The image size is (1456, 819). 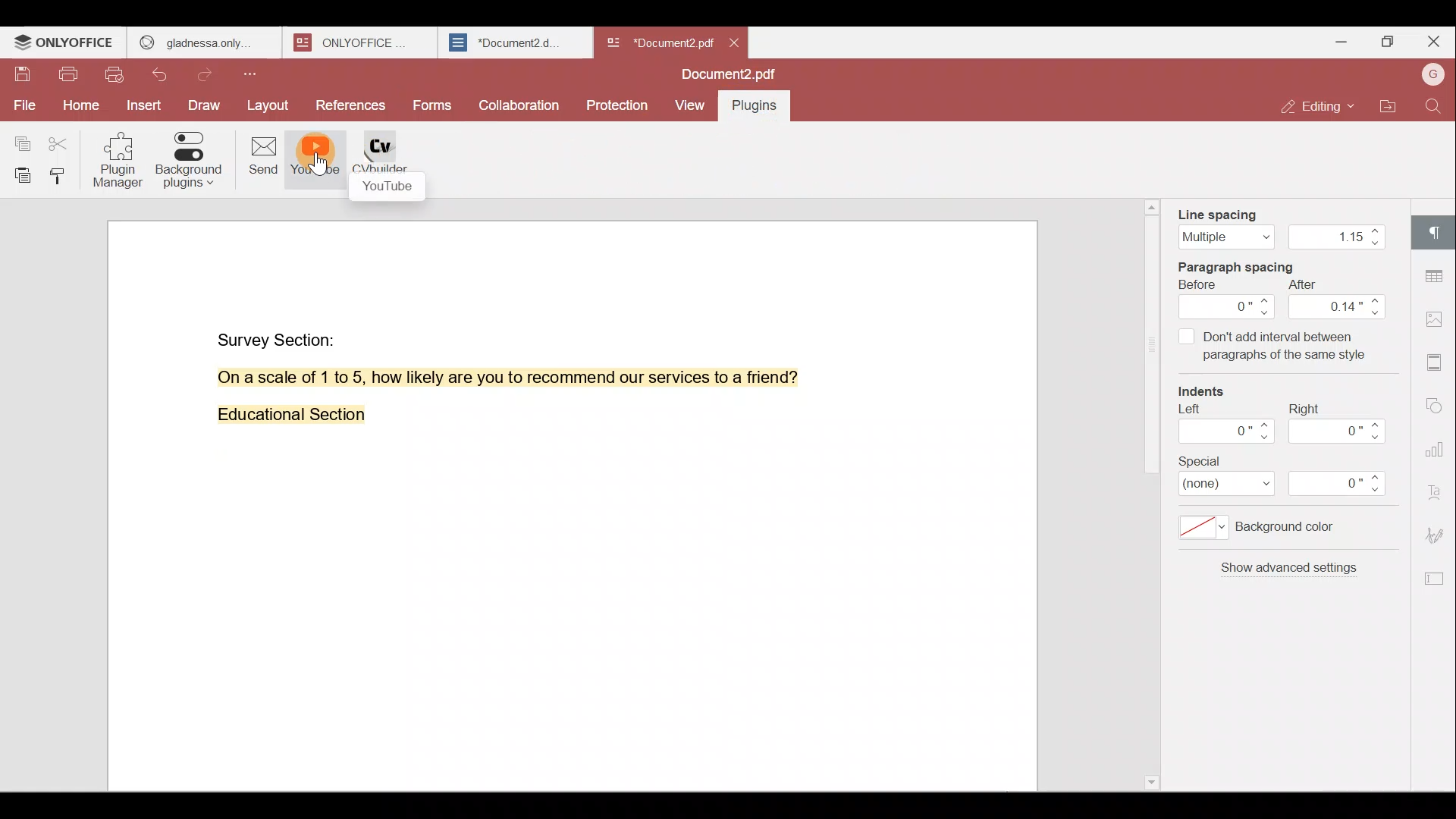 What do you see at coordinates (1292, 477) in the screenshot?
I see `Special` at bounding box center [1292, 477].